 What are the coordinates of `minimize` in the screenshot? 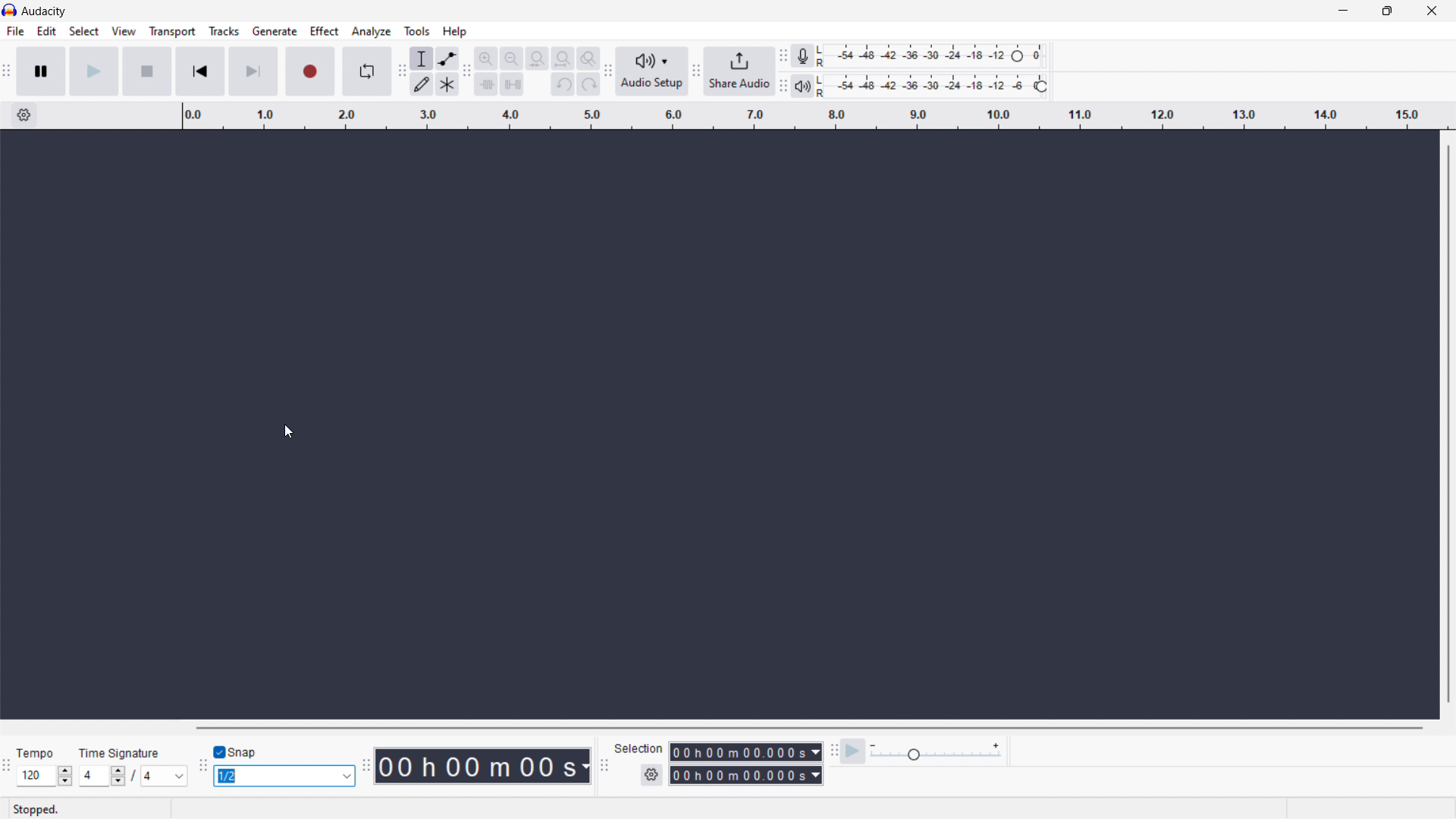 It's located at (1341, 11).